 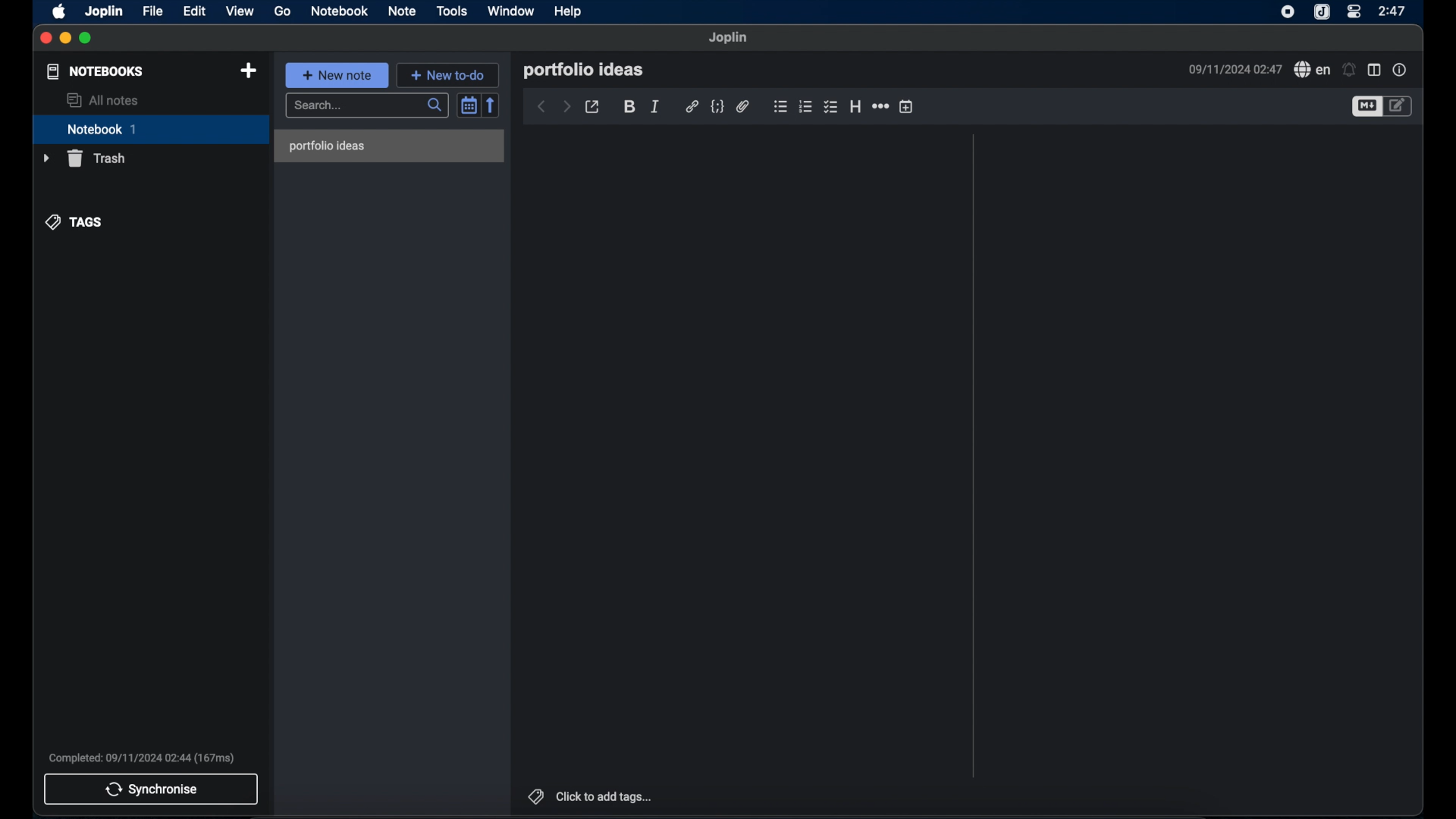 What do you see at coordinates (1393, 11) in the screenshot?
I see `2:47` at bounding box center [1393, 11].